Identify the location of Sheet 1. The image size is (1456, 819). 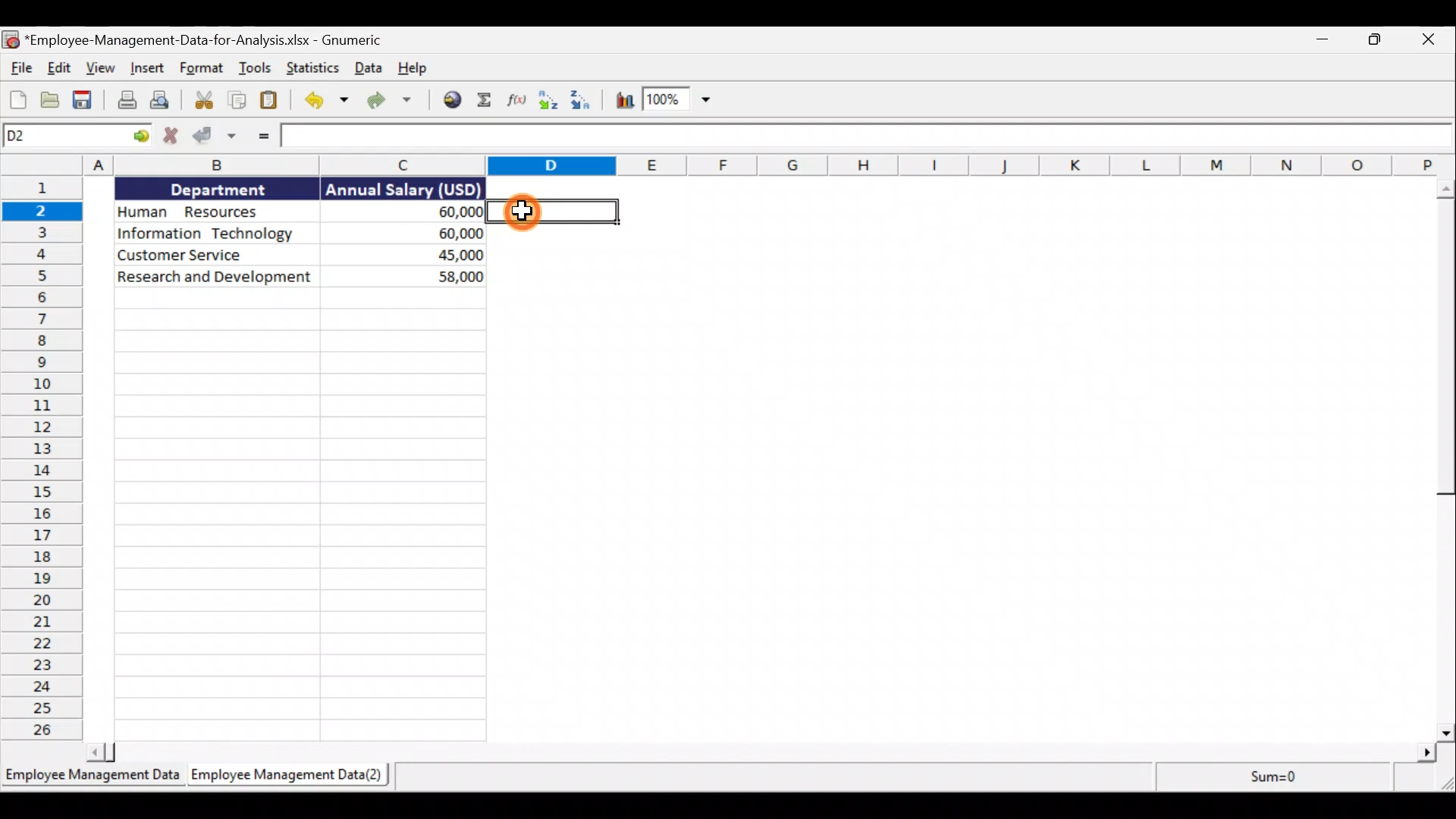
(91, 777).